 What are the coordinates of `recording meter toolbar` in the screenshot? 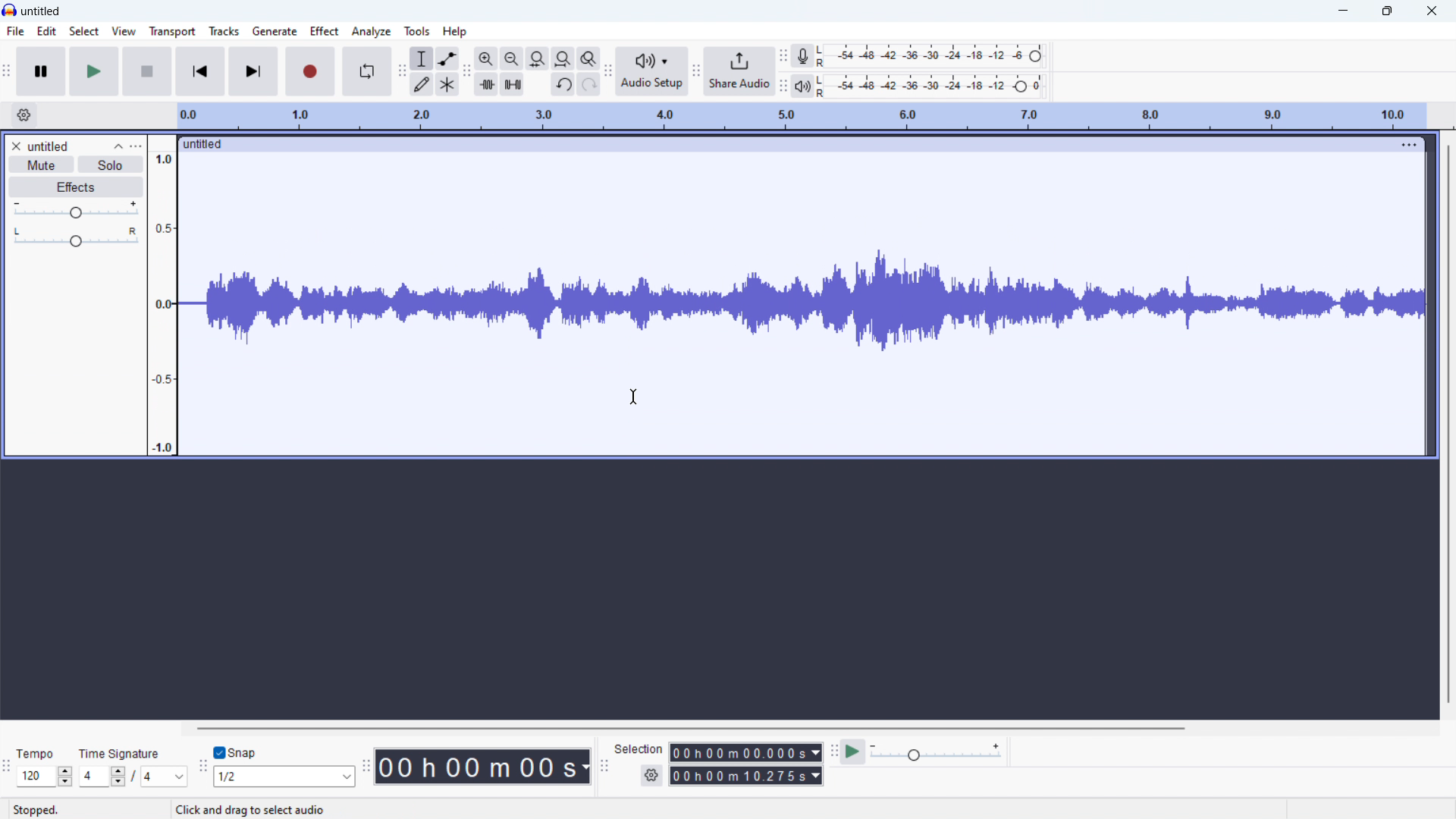 It's located at (784, 56).